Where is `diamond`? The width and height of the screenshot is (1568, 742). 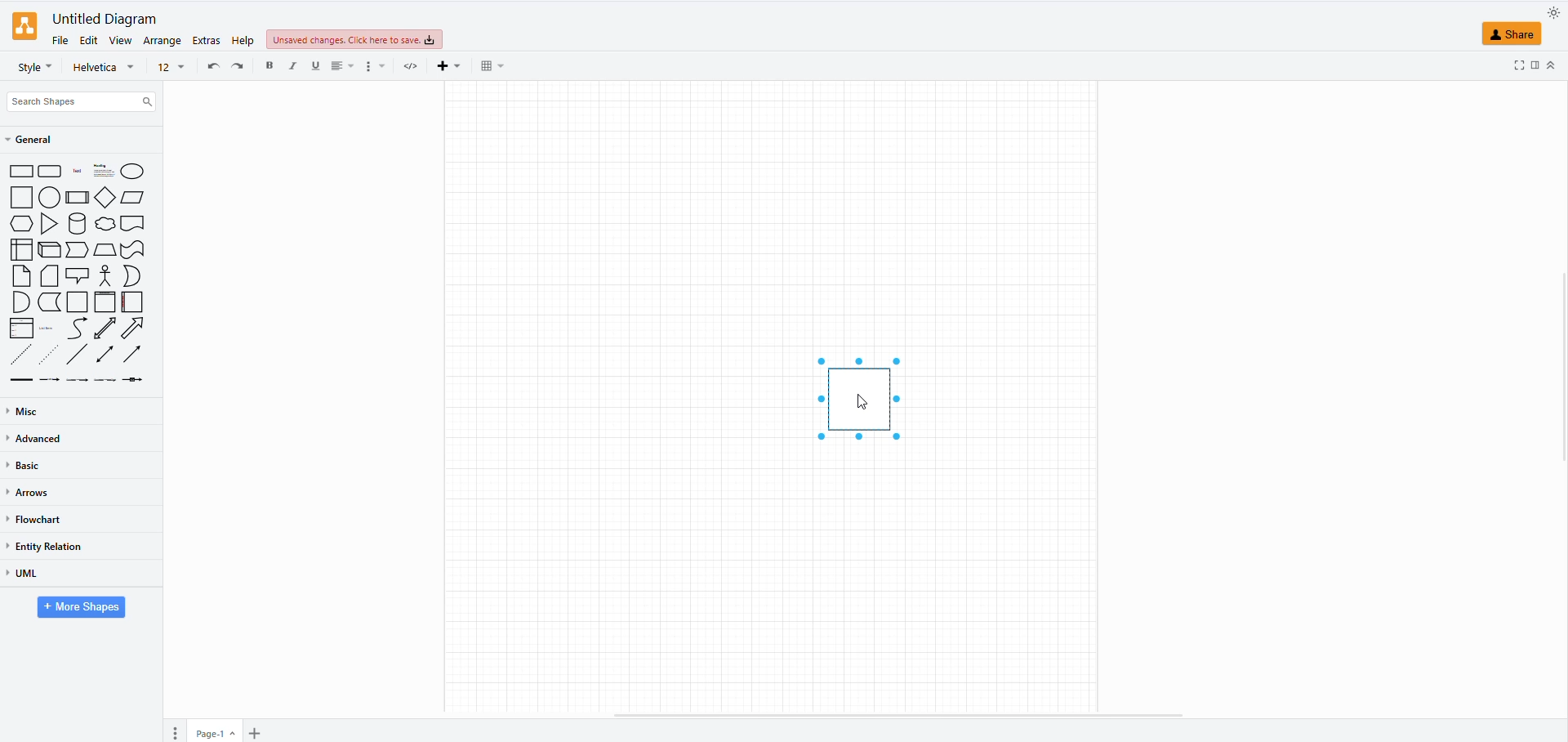 diamond is located at coordinates (105, 197).